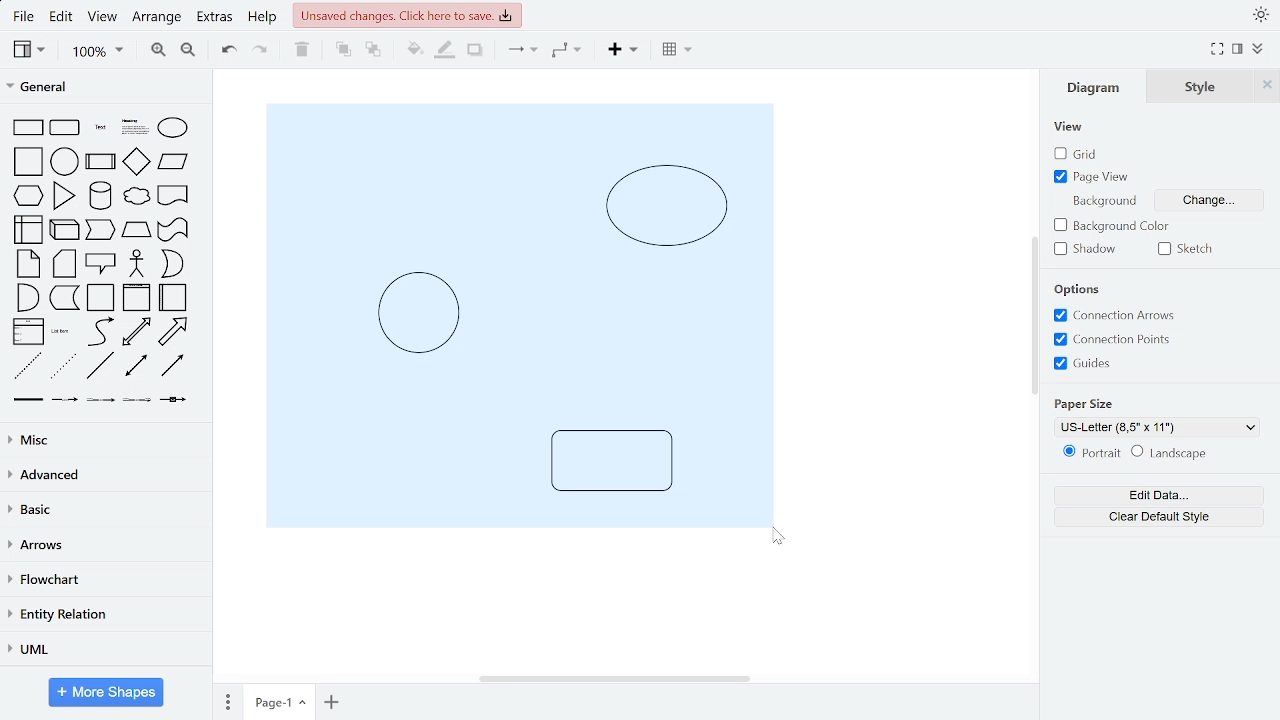  Describe the element at coordinates (27, 366) in the screenshot. I see `dashed line` at that location.